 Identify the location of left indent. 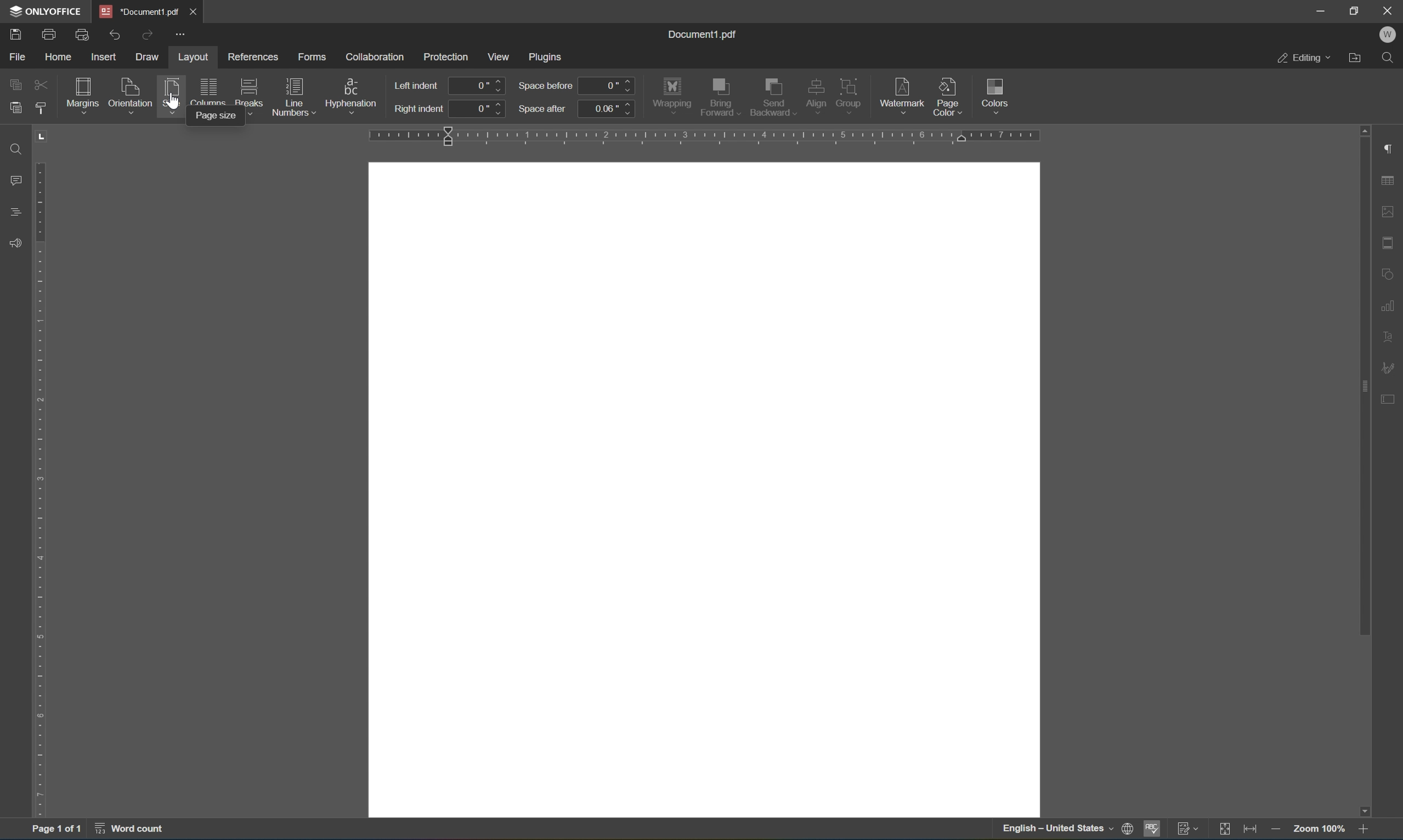
(418, 84).